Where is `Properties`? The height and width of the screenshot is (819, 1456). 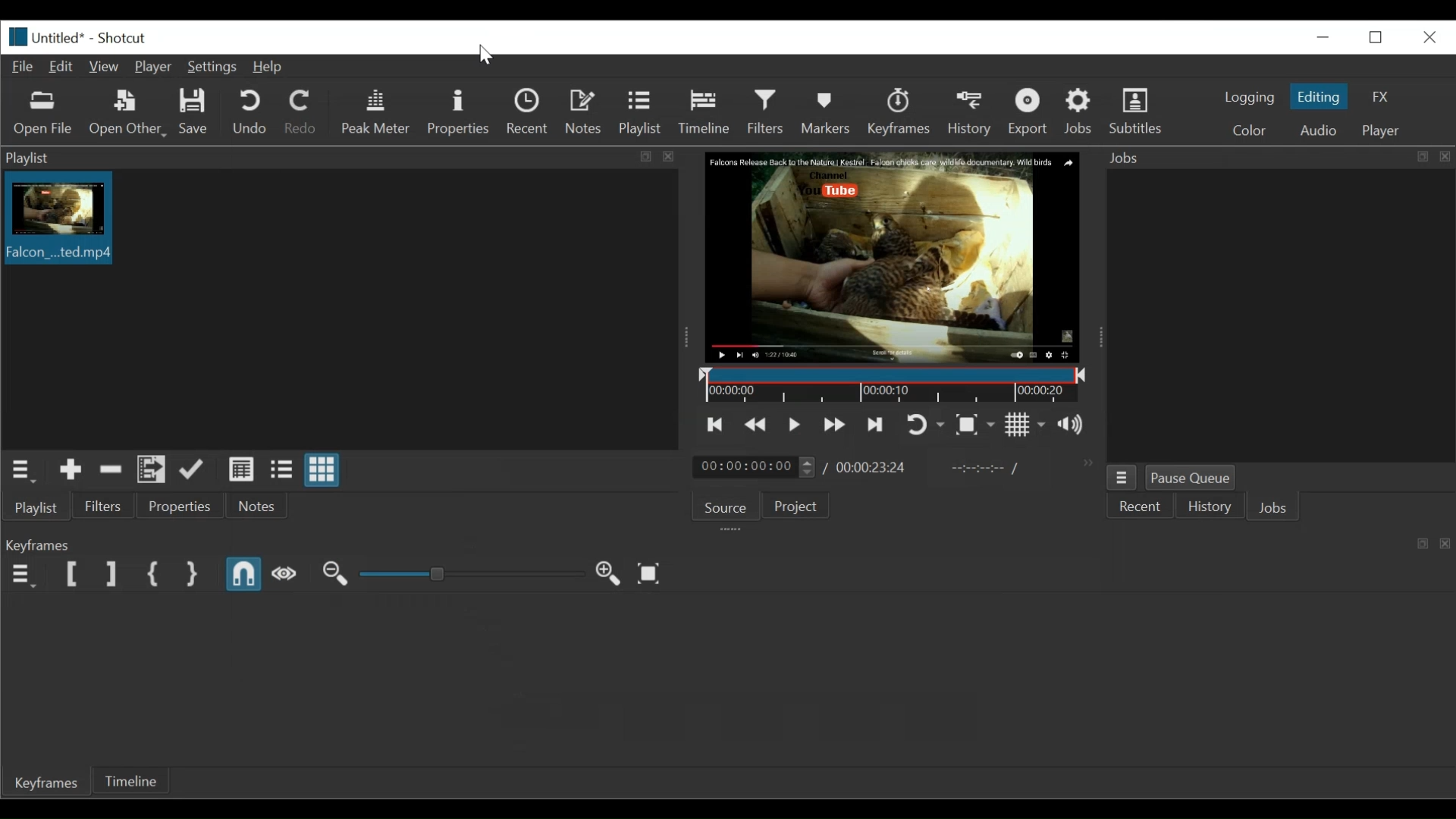 Properties is located at coordinates (460, 112).